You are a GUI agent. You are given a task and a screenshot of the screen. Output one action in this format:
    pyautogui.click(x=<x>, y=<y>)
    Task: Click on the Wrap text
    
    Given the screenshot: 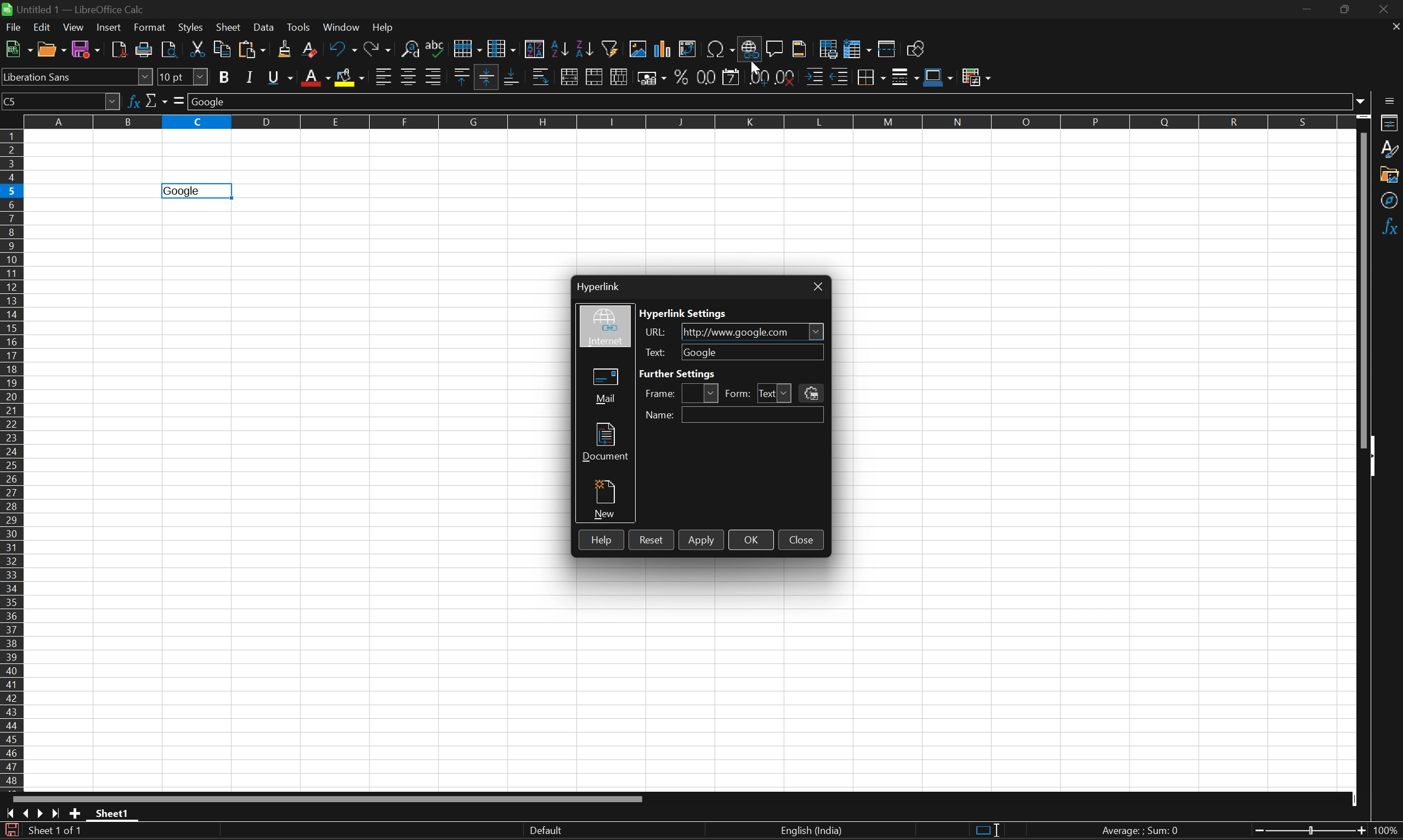 What is the action you would take?
    pyautogui.click(x=542, y=77)
    